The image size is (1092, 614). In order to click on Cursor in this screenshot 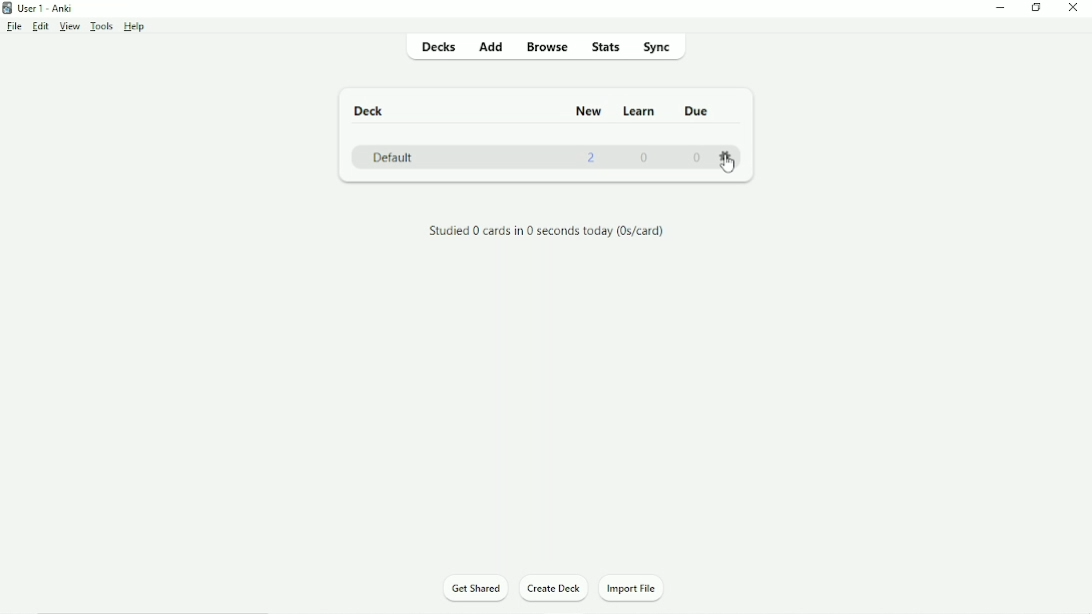, I will do `click(729, 166)`.